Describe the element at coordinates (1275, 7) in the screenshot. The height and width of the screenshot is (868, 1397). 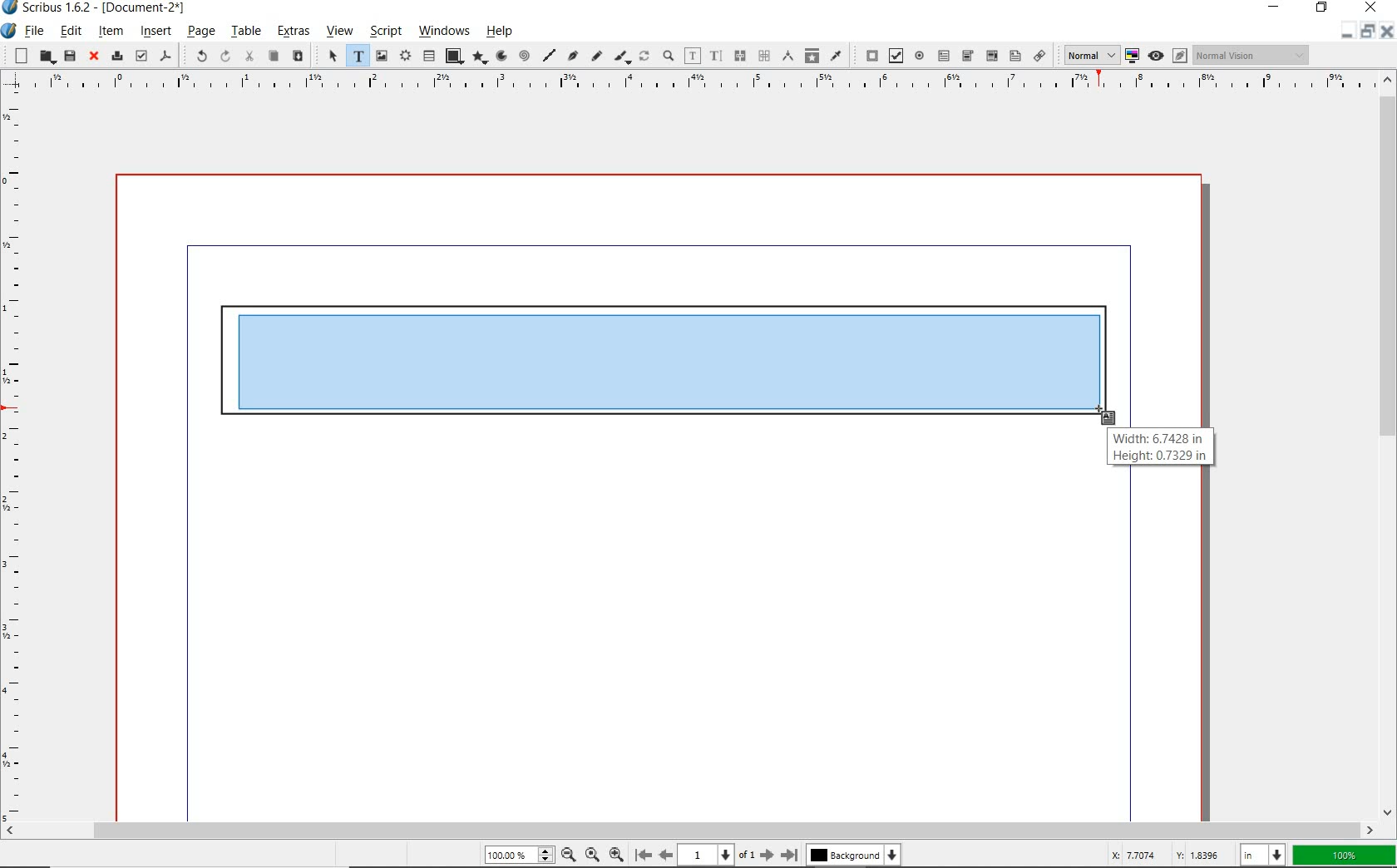
I see `minimize` at that location.